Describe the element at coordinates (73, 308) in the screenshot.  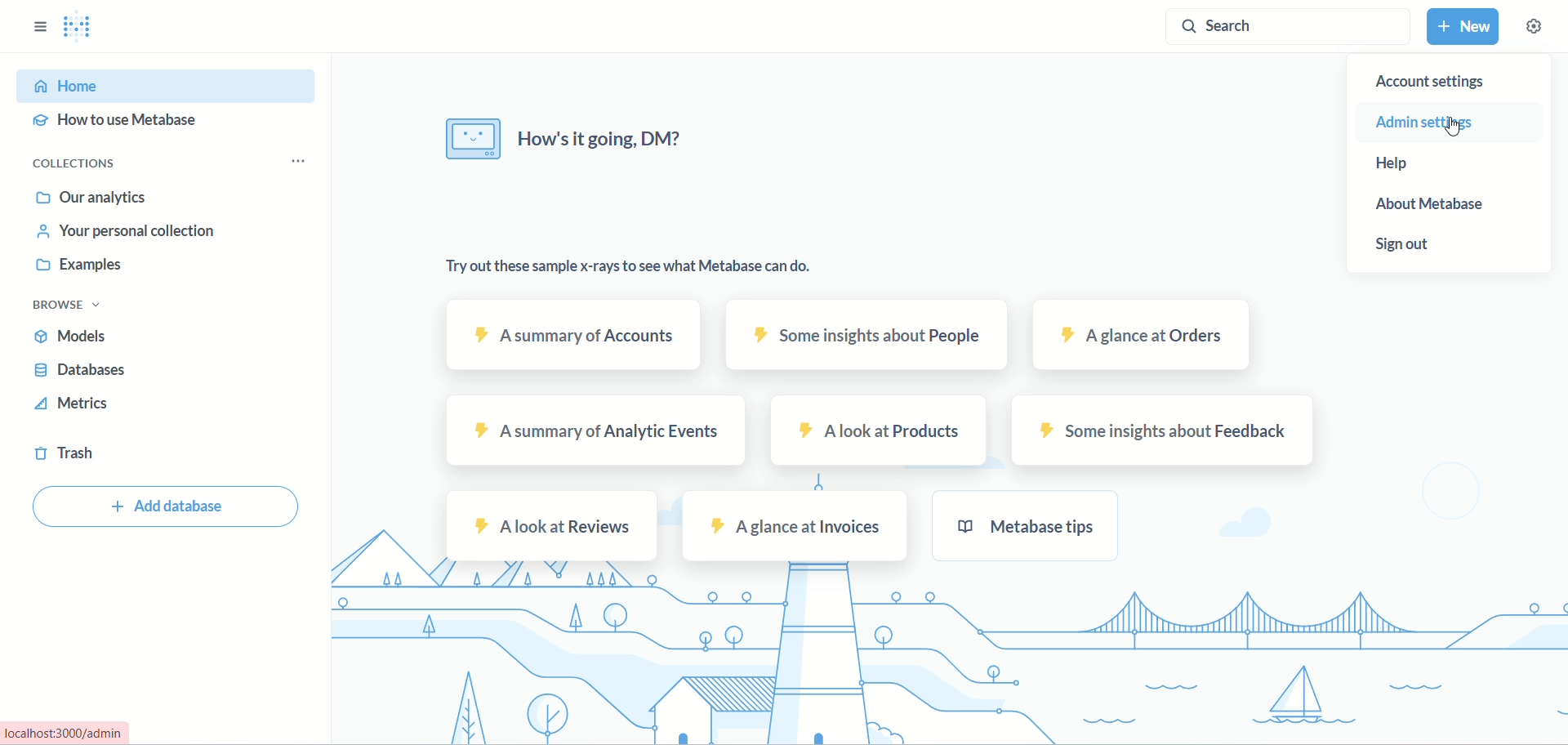
I see `browse` at that location.